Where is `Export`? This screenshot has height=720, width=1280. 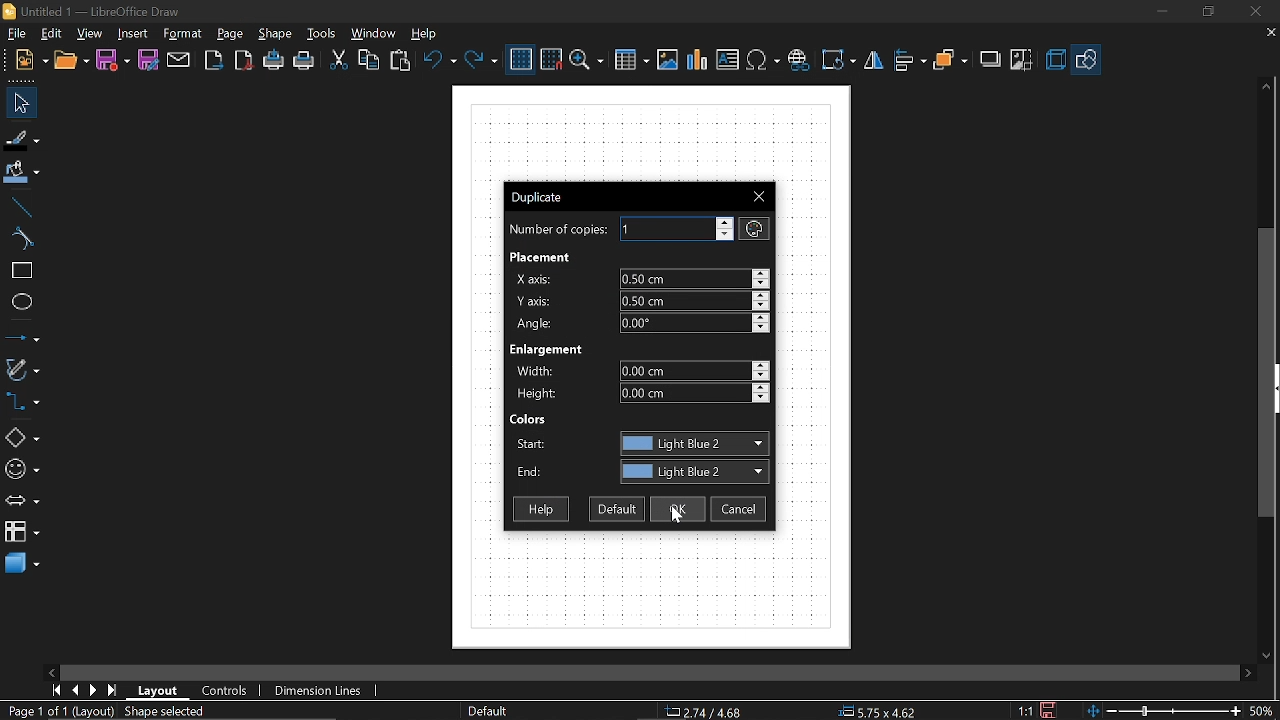 Export is located at coordinates (213, 61).